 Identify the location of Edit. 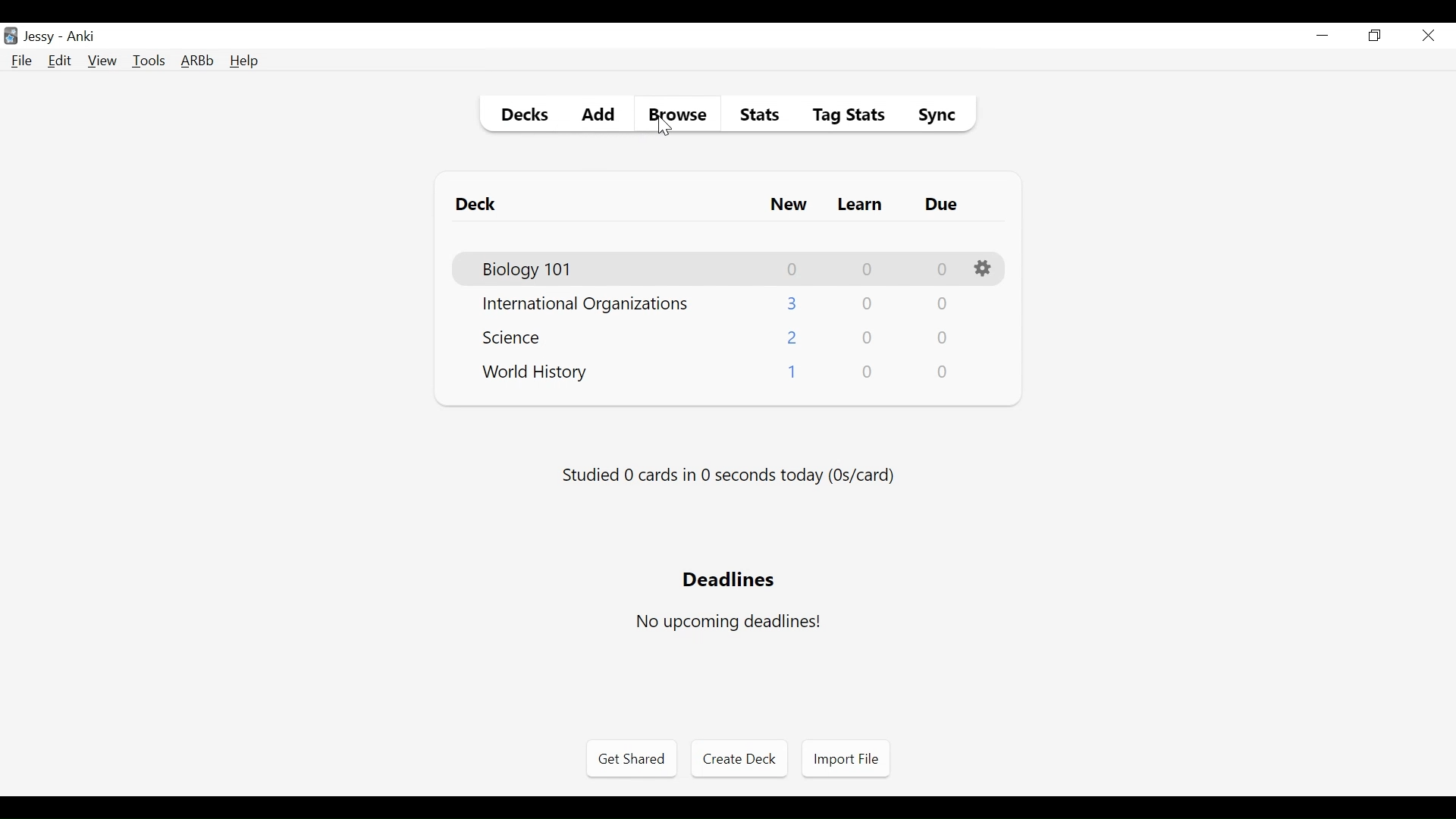
(58, 62).